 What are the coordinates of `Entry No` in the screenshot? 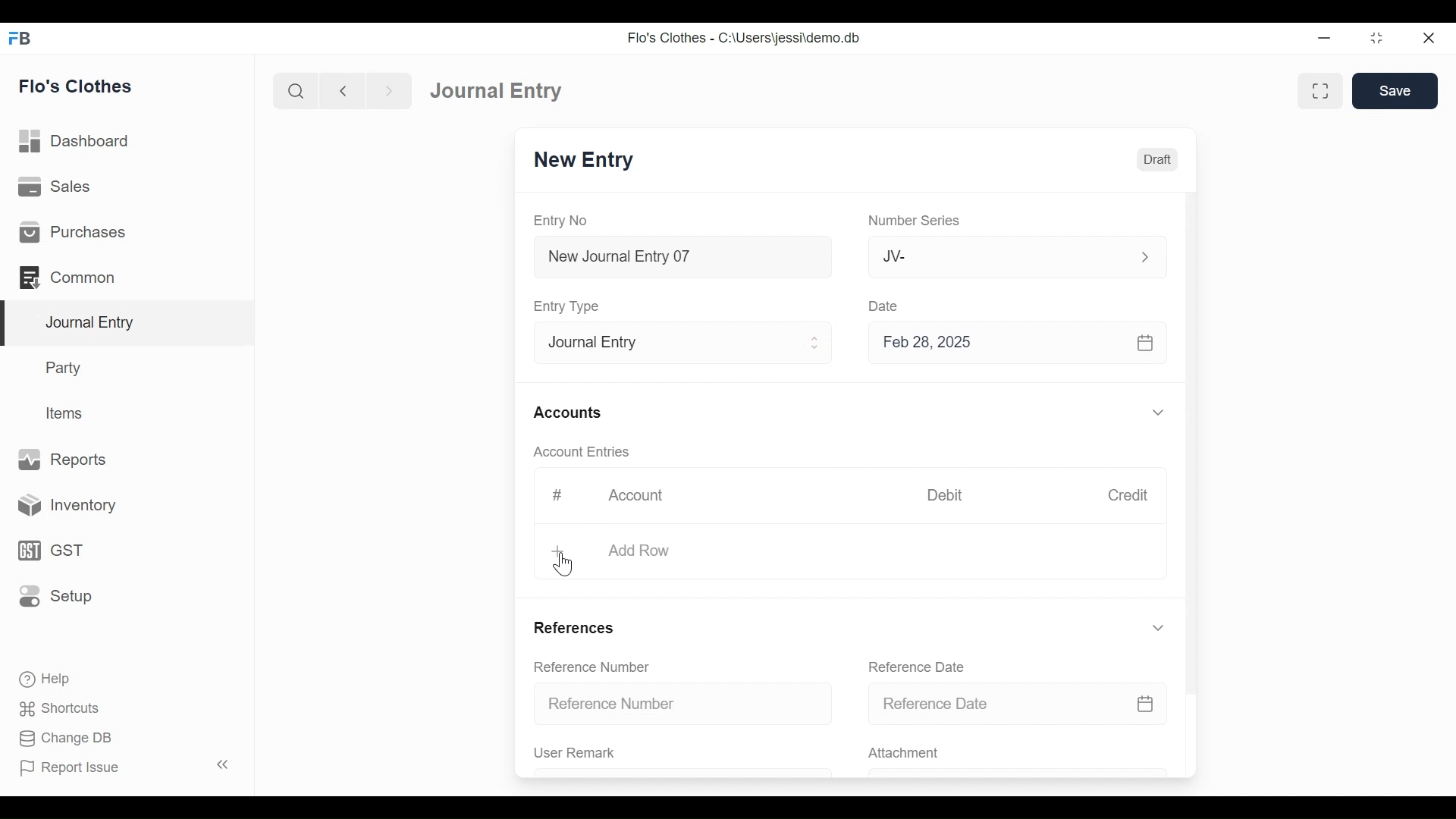 It's located at (560, 220).